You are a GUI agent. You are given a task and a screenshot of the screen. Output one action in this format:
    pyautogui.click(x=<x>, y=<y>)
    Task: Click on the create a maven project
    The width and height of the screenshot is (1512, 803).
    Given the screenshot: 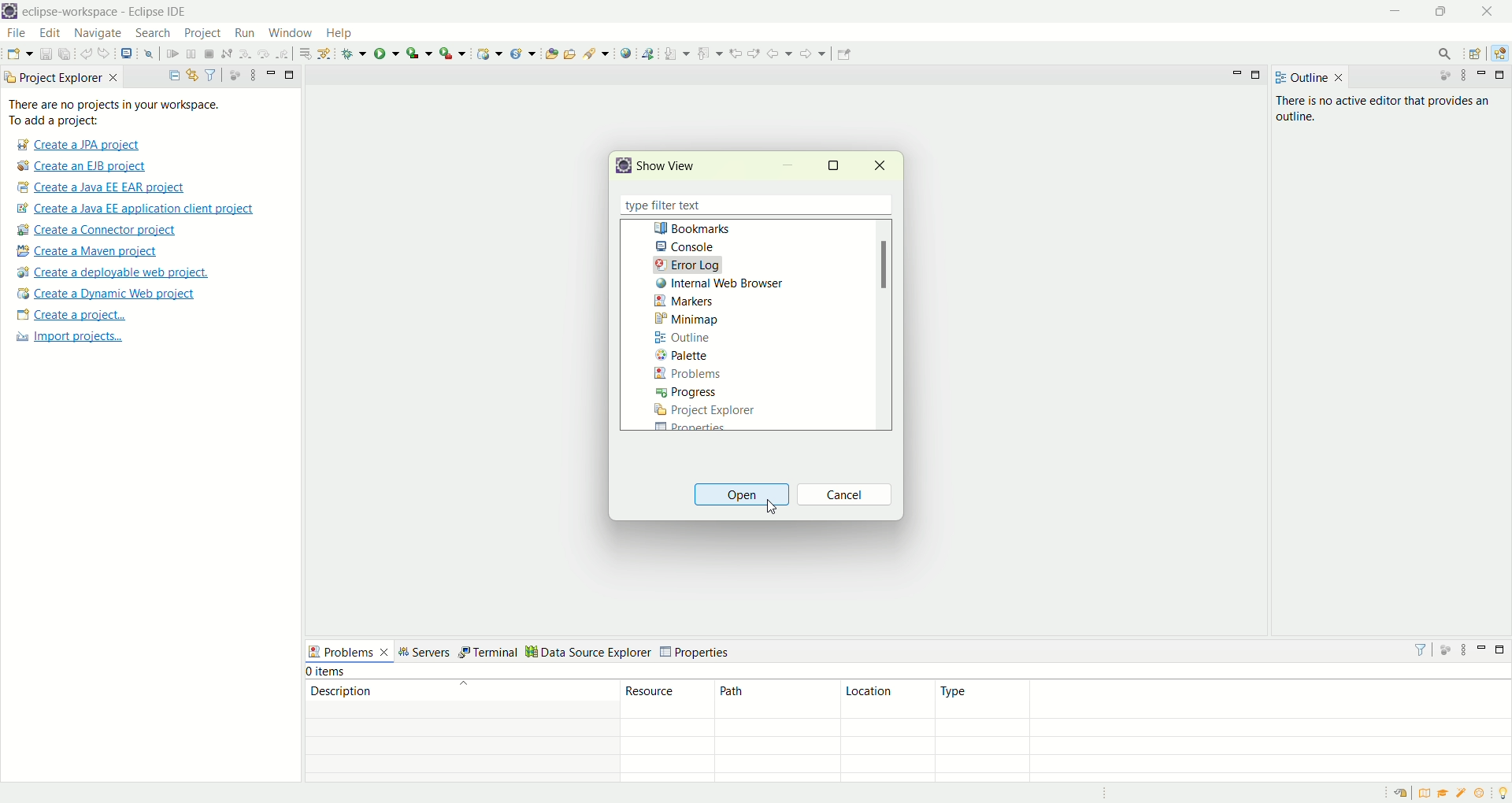 What is the action you would take?
    pyautogui.click(x=94, y=250)
    